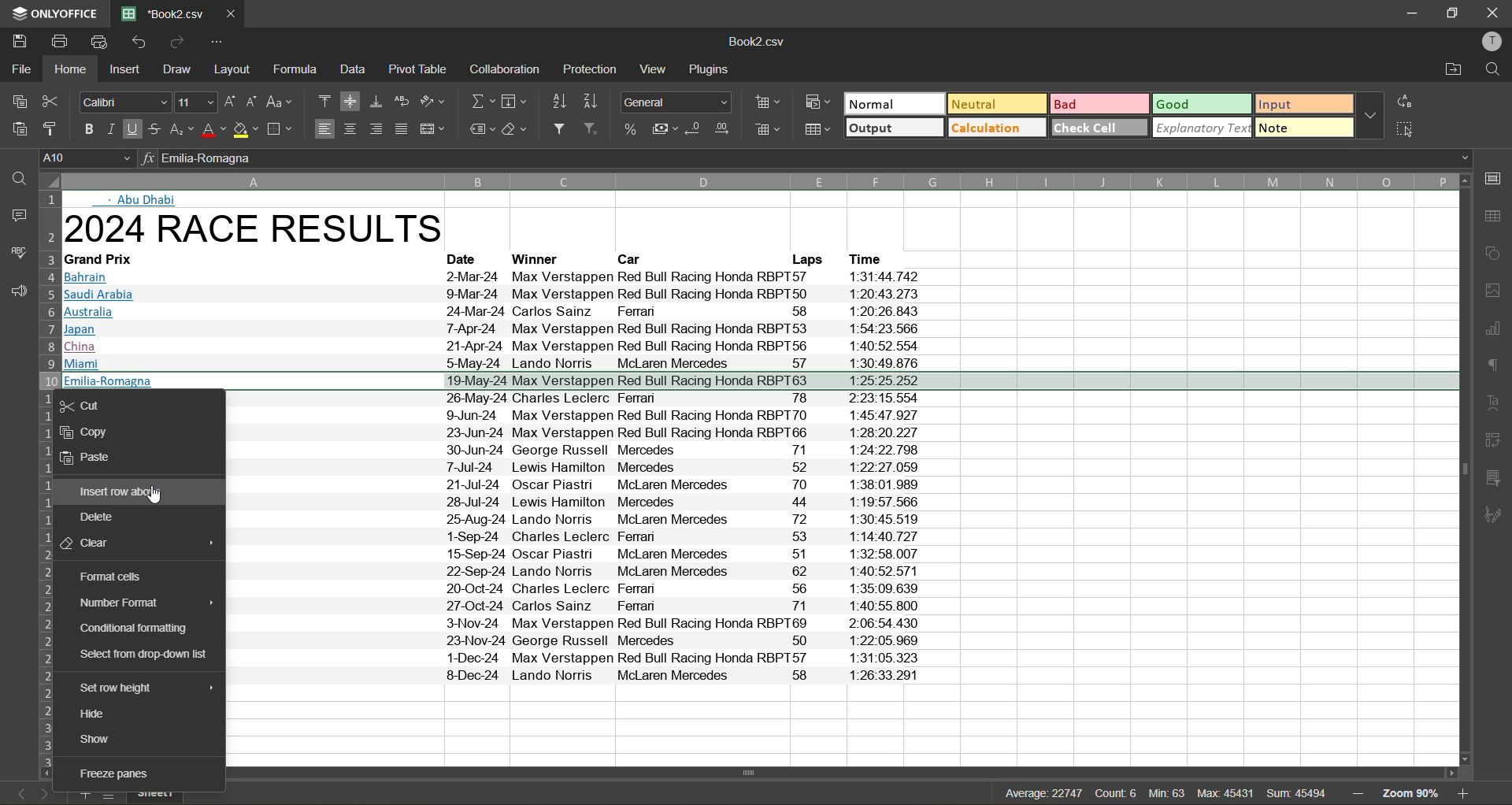 This screenshot has width=1512, height=805. What do you see at coordinates (51, 13) in the screenshot?
I see `appname: onlyoffice` at bounding box center [51, 13].